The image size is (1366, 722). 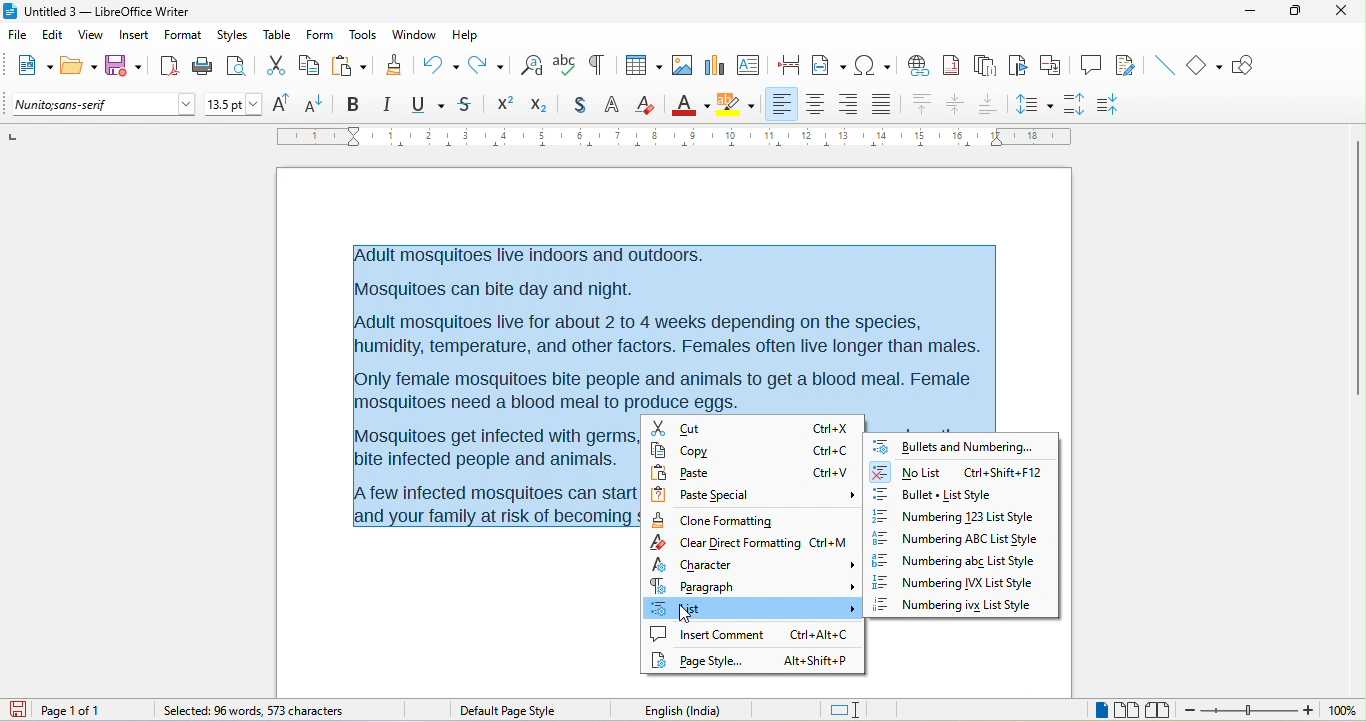 What do you see at coordinates (988, 104) in the screenshot?
I see `align bottom` at bounding box center [988, 104].